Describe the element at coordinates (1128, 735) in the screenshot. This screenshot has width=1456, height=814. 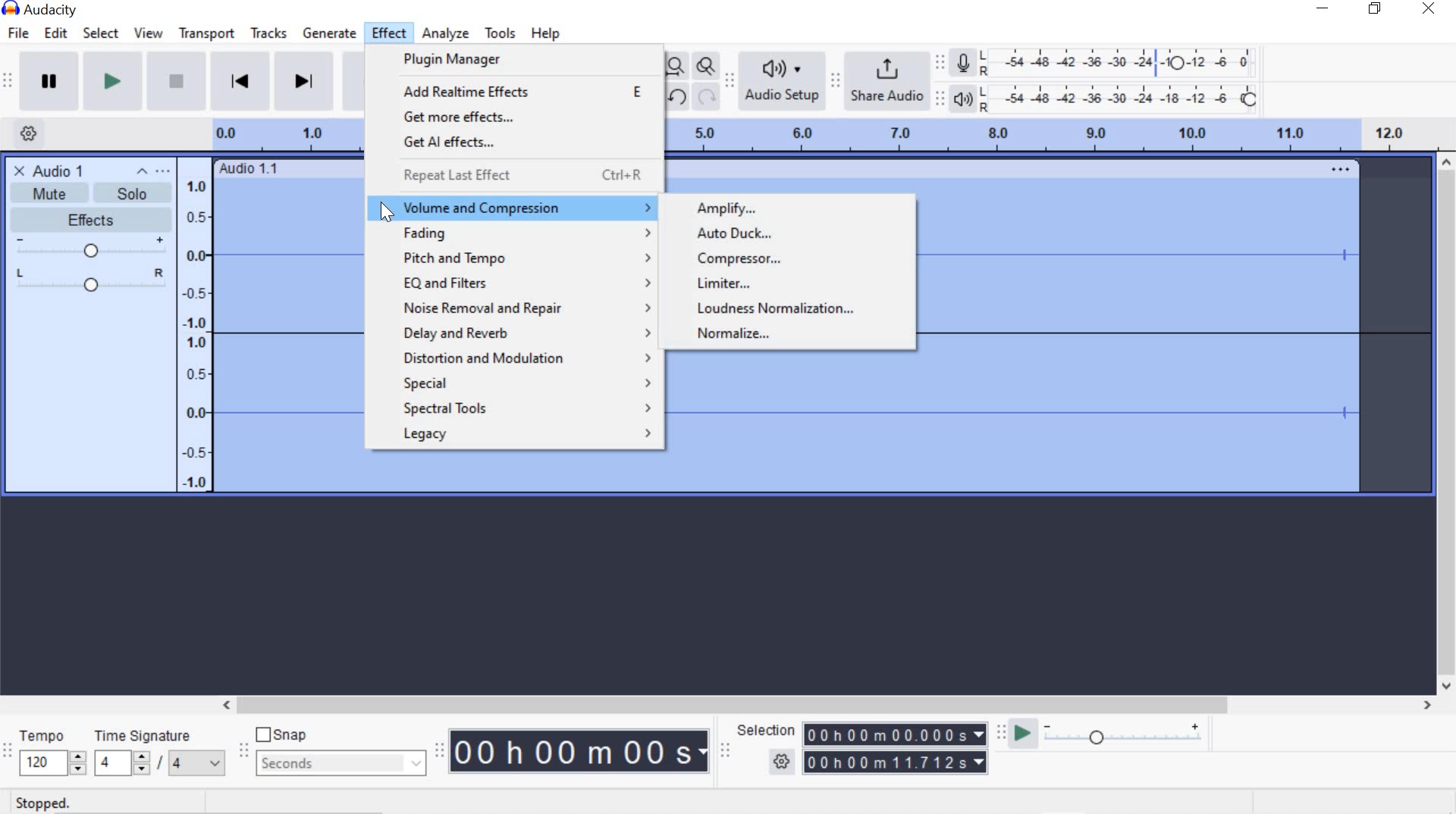
I see `Playback speed` at that location.